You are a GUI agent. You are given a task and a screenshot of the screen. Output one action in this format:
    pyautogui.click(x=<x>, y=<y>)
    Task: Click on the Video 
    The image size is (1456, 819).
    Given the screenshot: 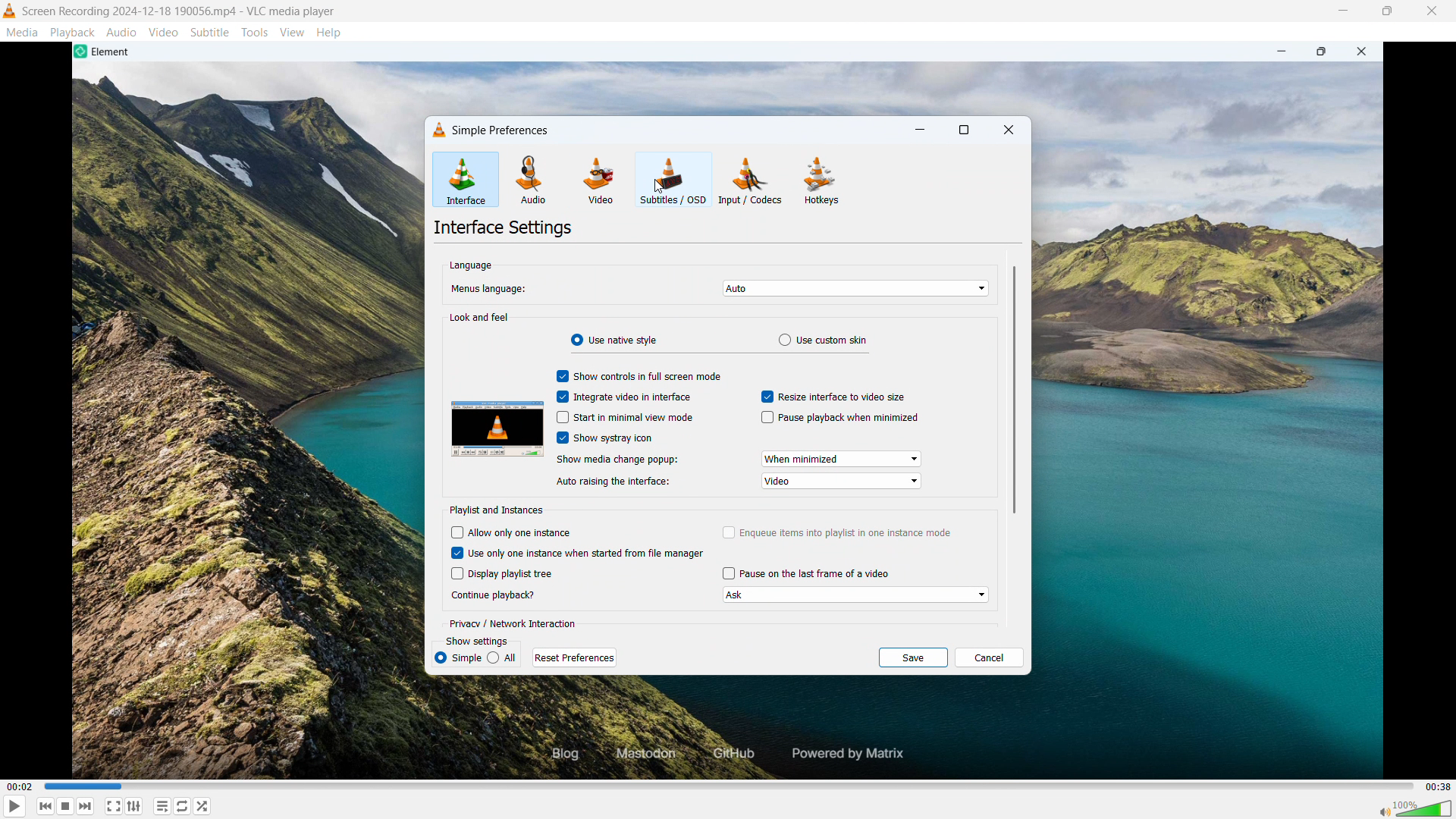 What is the action you would take?
    pyautogui.click(x=599, y=180)
    